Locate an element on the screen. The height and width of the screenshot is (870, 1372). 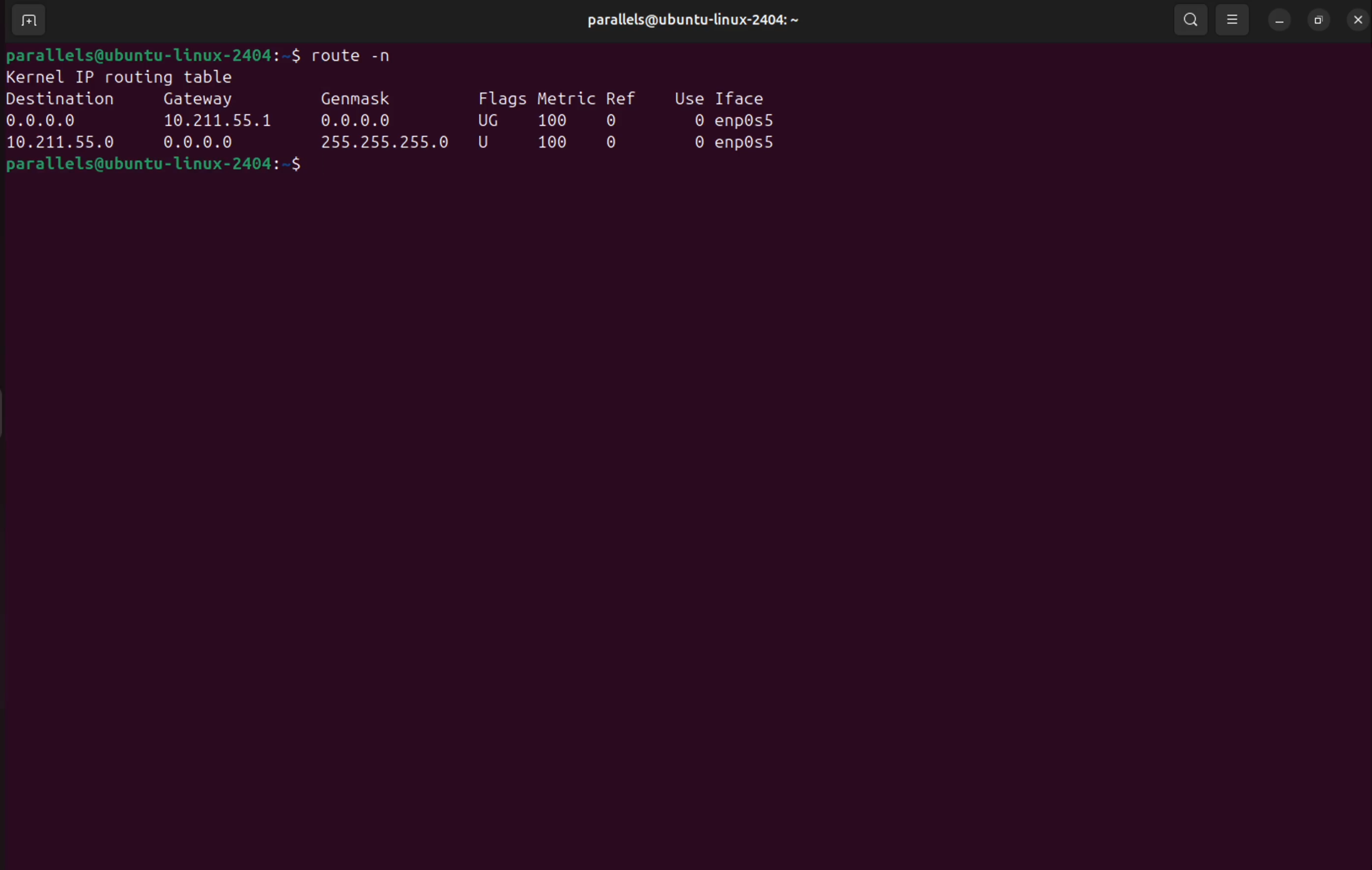
add terminal window is located at coordinates (25, 21).